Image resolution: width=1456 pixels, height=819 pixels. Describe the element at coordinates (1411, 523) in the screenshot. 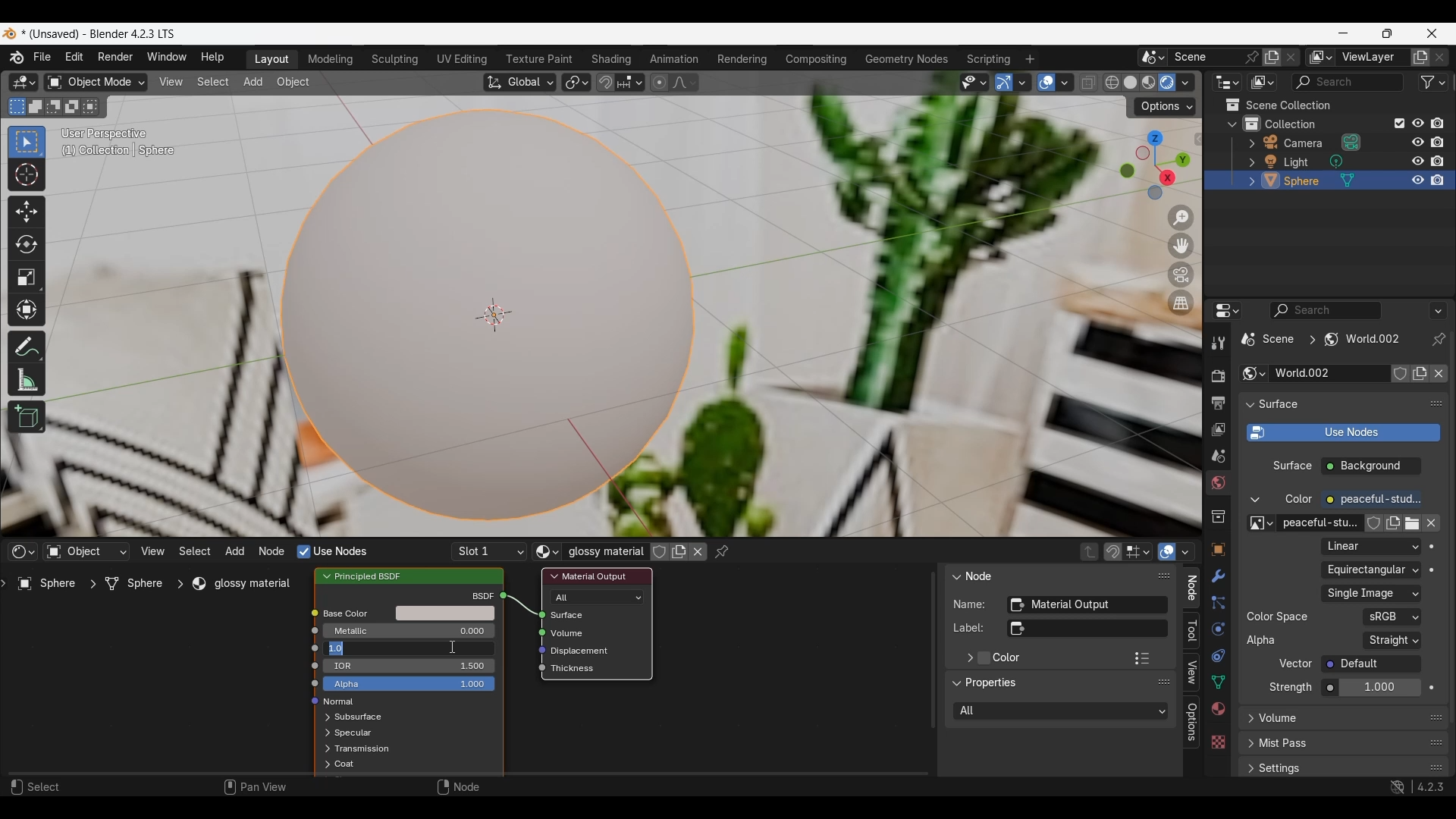

I see `Open image` at that location.